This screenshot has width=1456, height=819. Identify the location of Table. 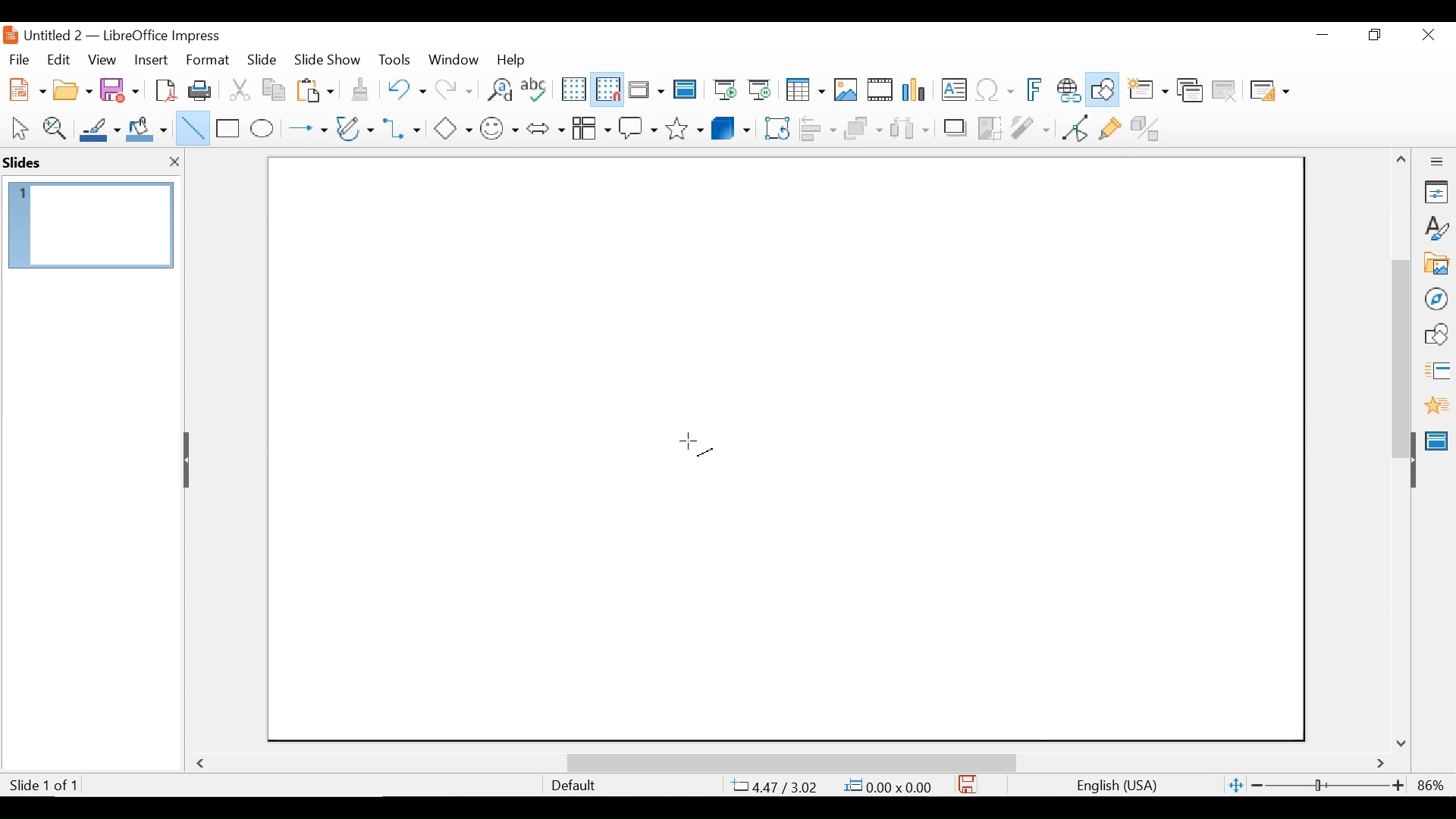
(804, 90).